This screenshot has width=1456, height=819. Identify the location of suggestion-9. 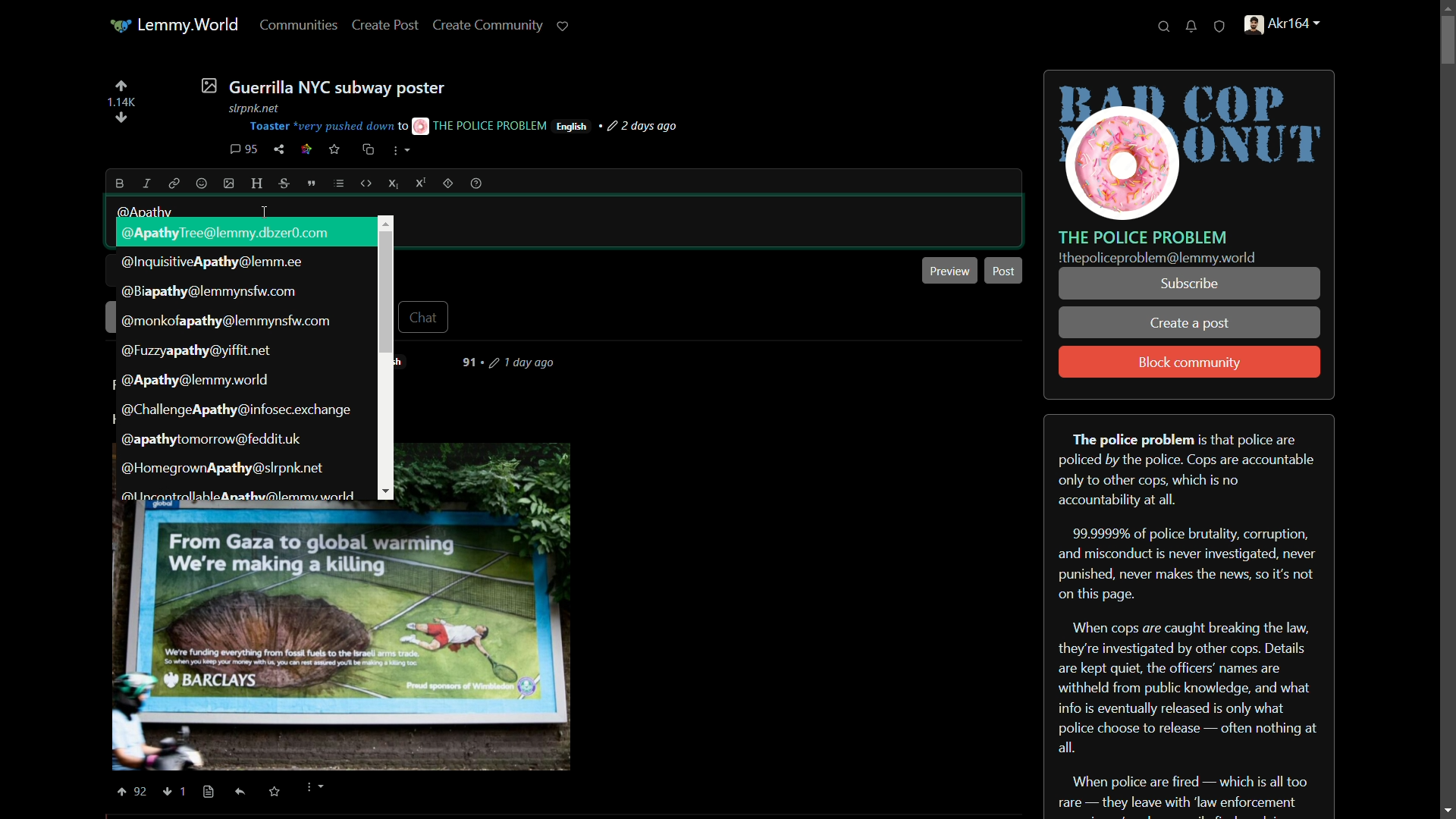
(221, 467).